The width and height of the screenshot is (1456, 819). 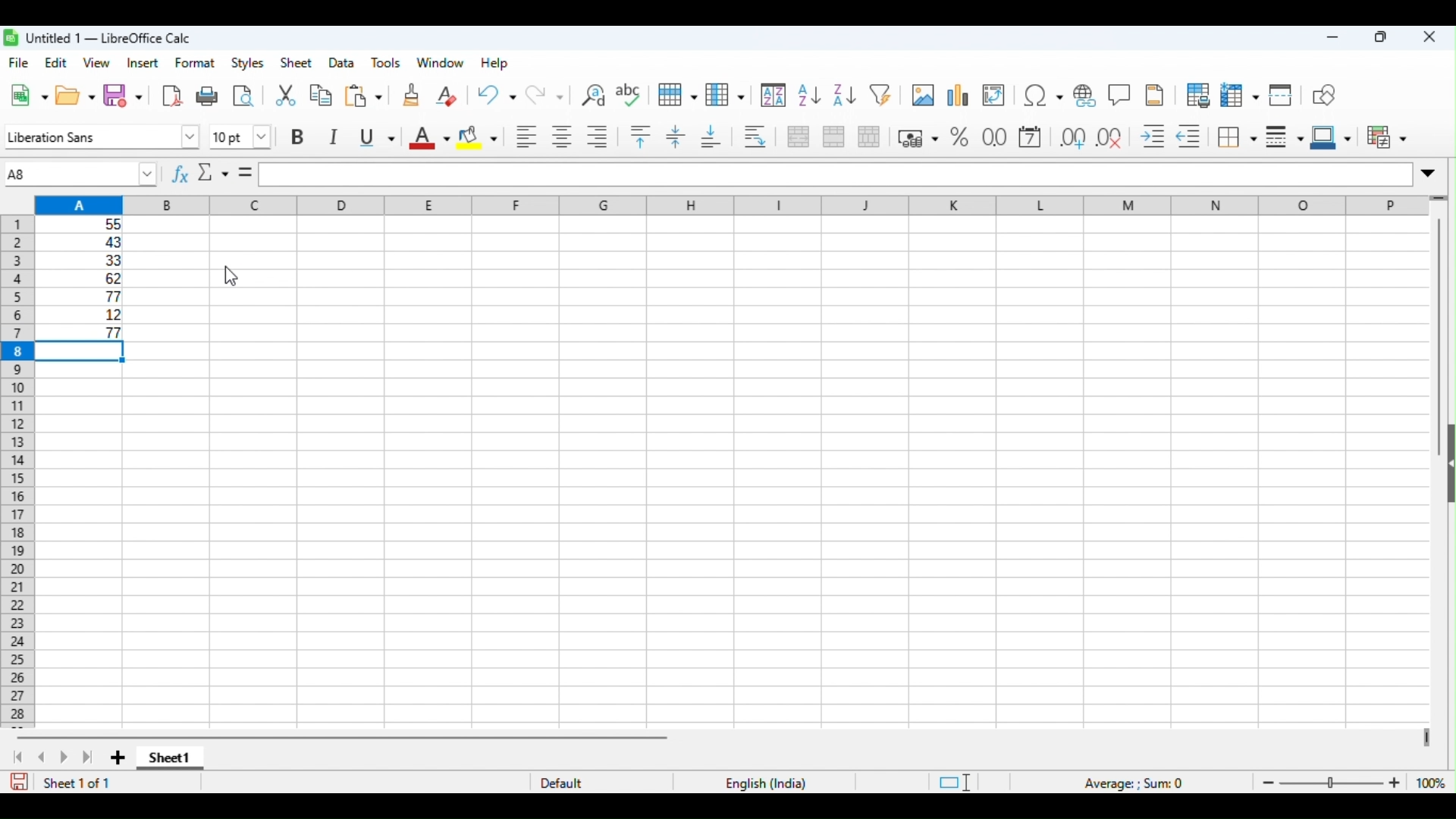 I want to click on insert hyperlink, so click(x=1087, y=93).